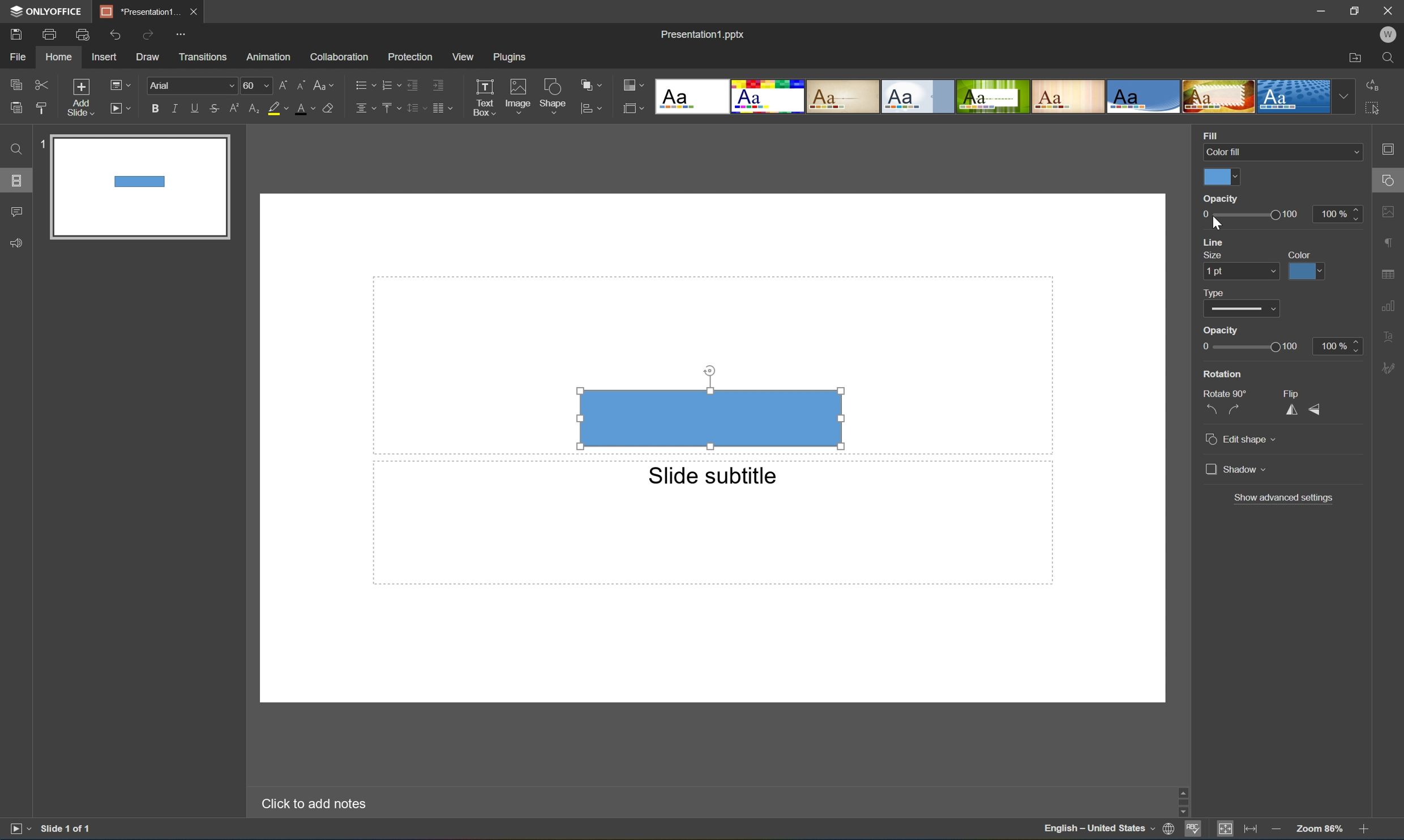 The height and width of the screenshot is (840, 1404). What do you see at coordinates (121, 84) in the screenshot?
I see `Change slide layout` at bounding box center [121, 84].